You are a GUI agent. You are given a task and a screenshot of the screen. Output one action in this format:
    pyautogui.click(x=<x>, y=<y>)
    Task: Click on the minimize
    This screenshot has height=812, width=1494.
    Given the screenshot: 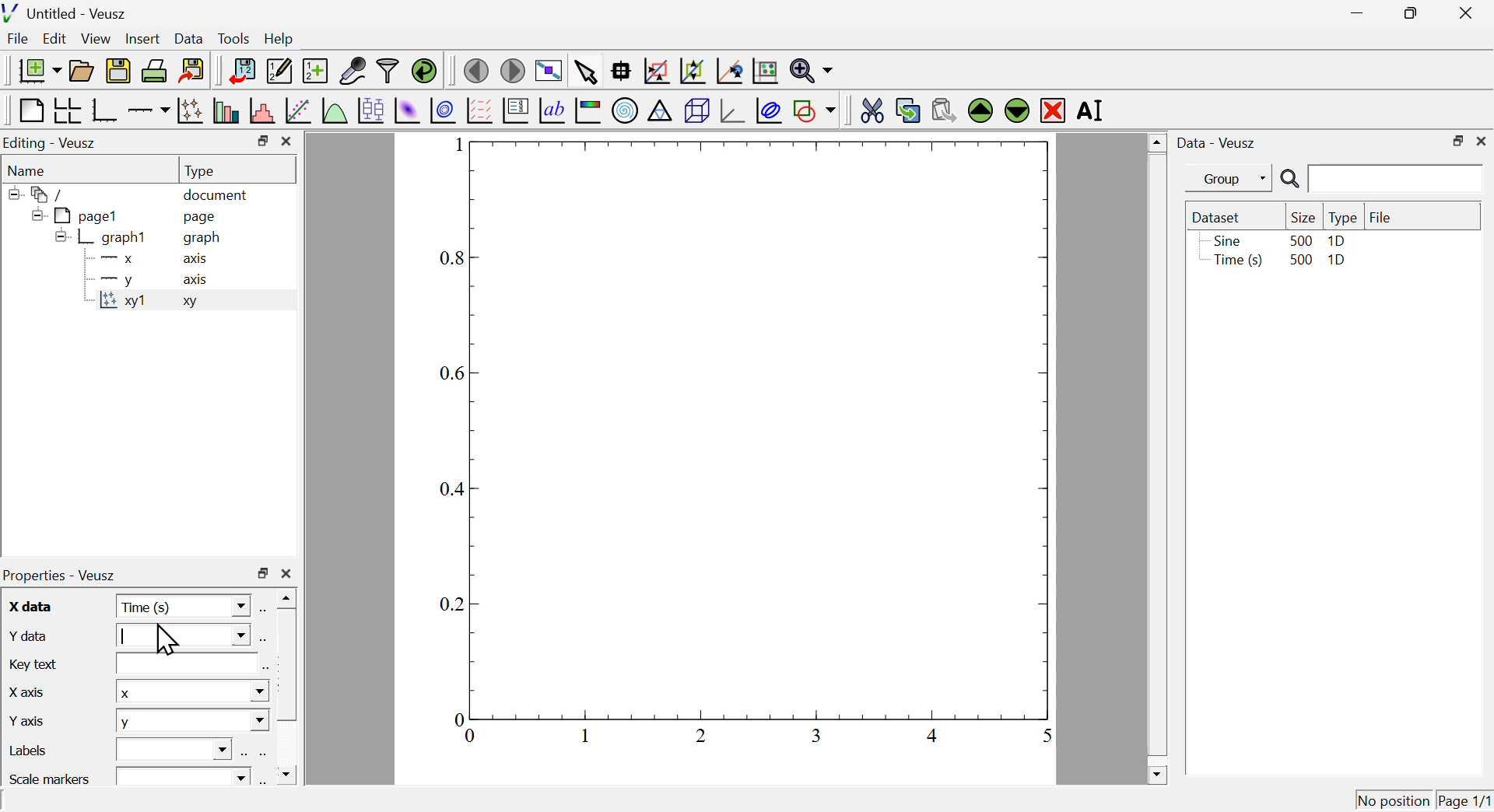 What is the action you would take?
    pyautogui.click(x=1352, y=13)
    